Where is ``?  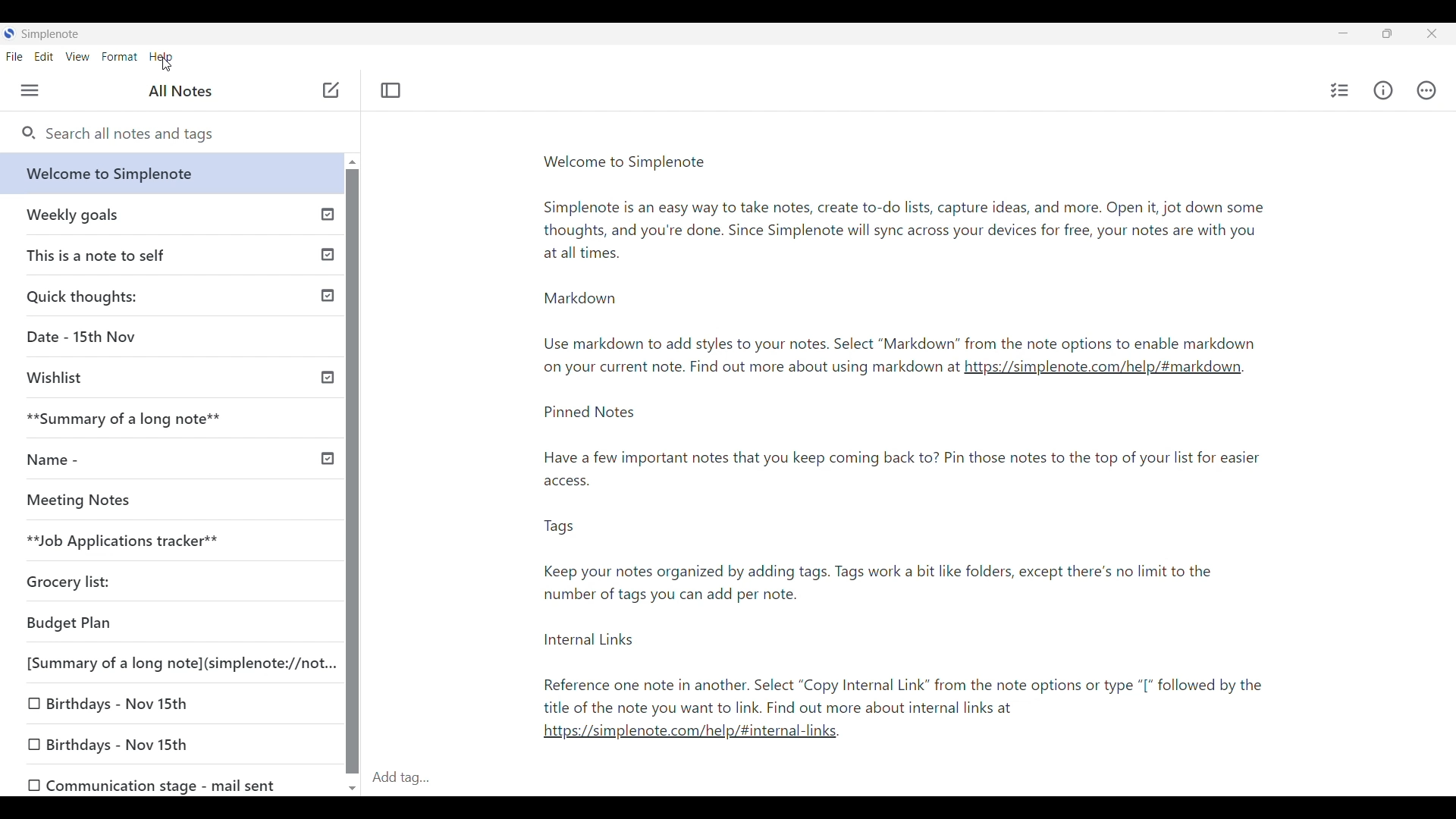
 is located at coordinates (324, 377).